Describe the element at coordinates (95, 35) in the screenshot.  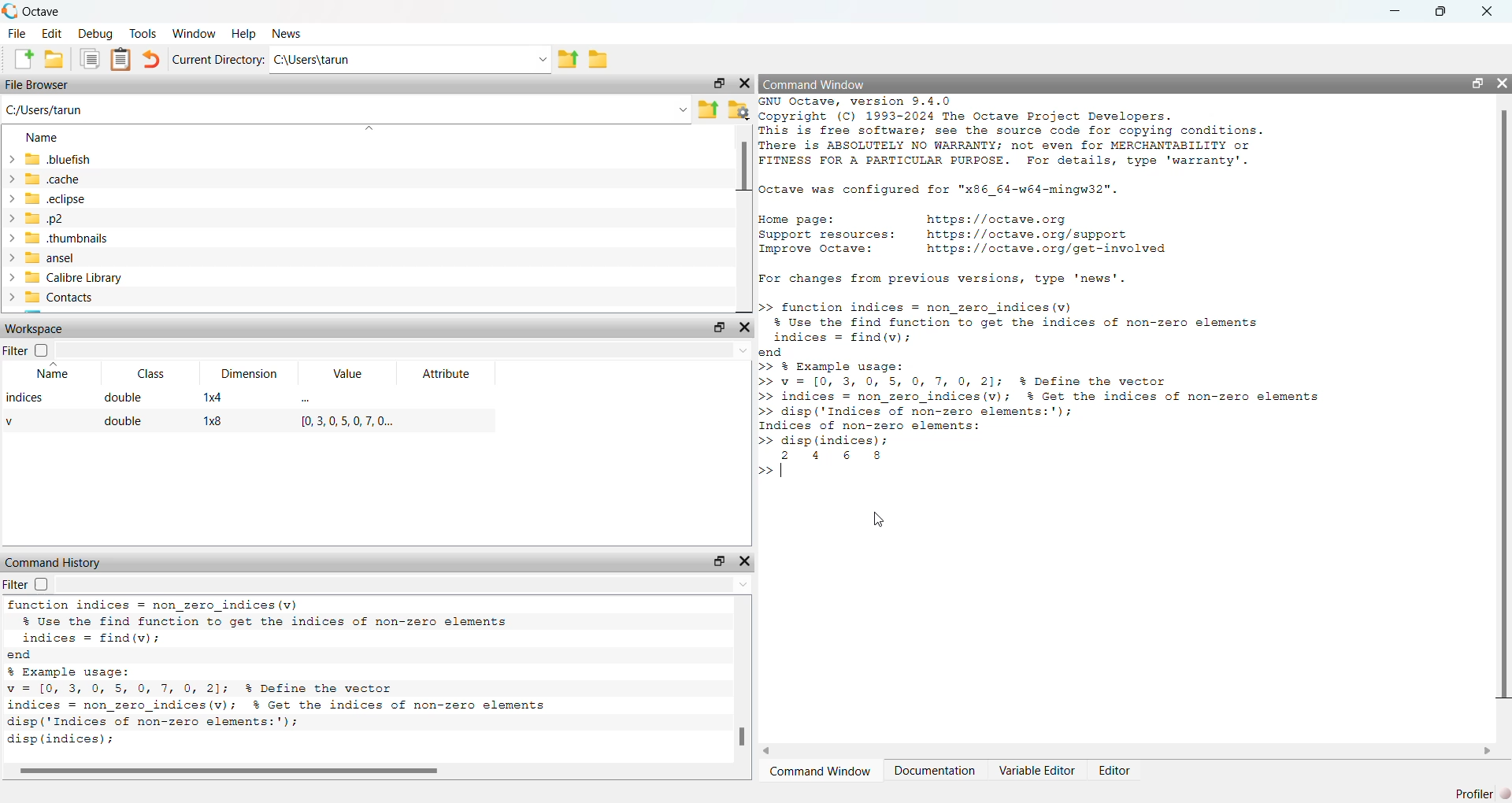
I see `Debug` at that location.